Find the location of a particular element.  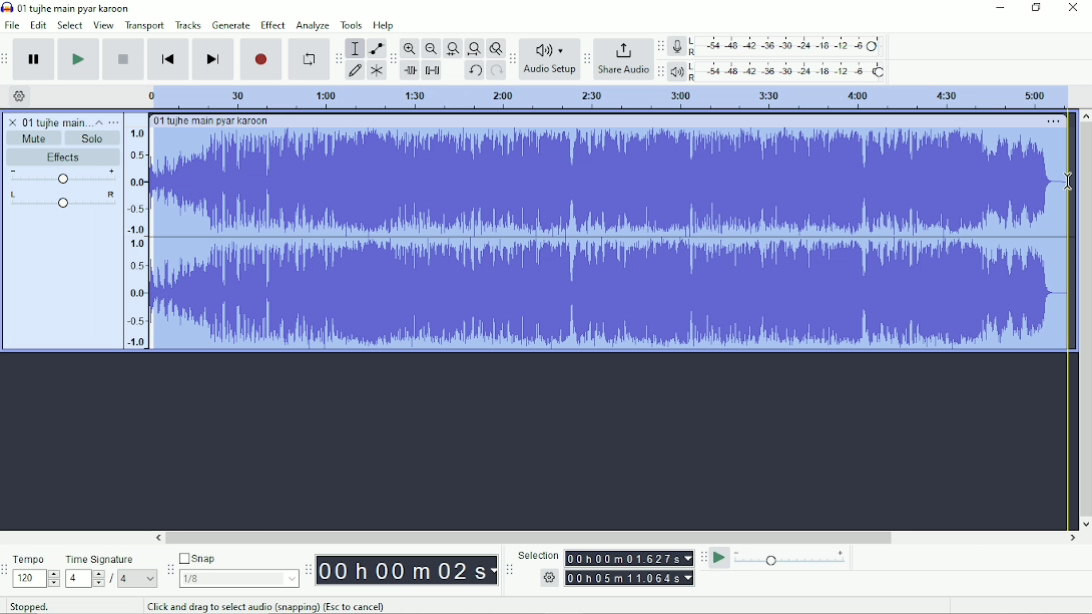

Audio Setup is located at coordinates (549, 59).